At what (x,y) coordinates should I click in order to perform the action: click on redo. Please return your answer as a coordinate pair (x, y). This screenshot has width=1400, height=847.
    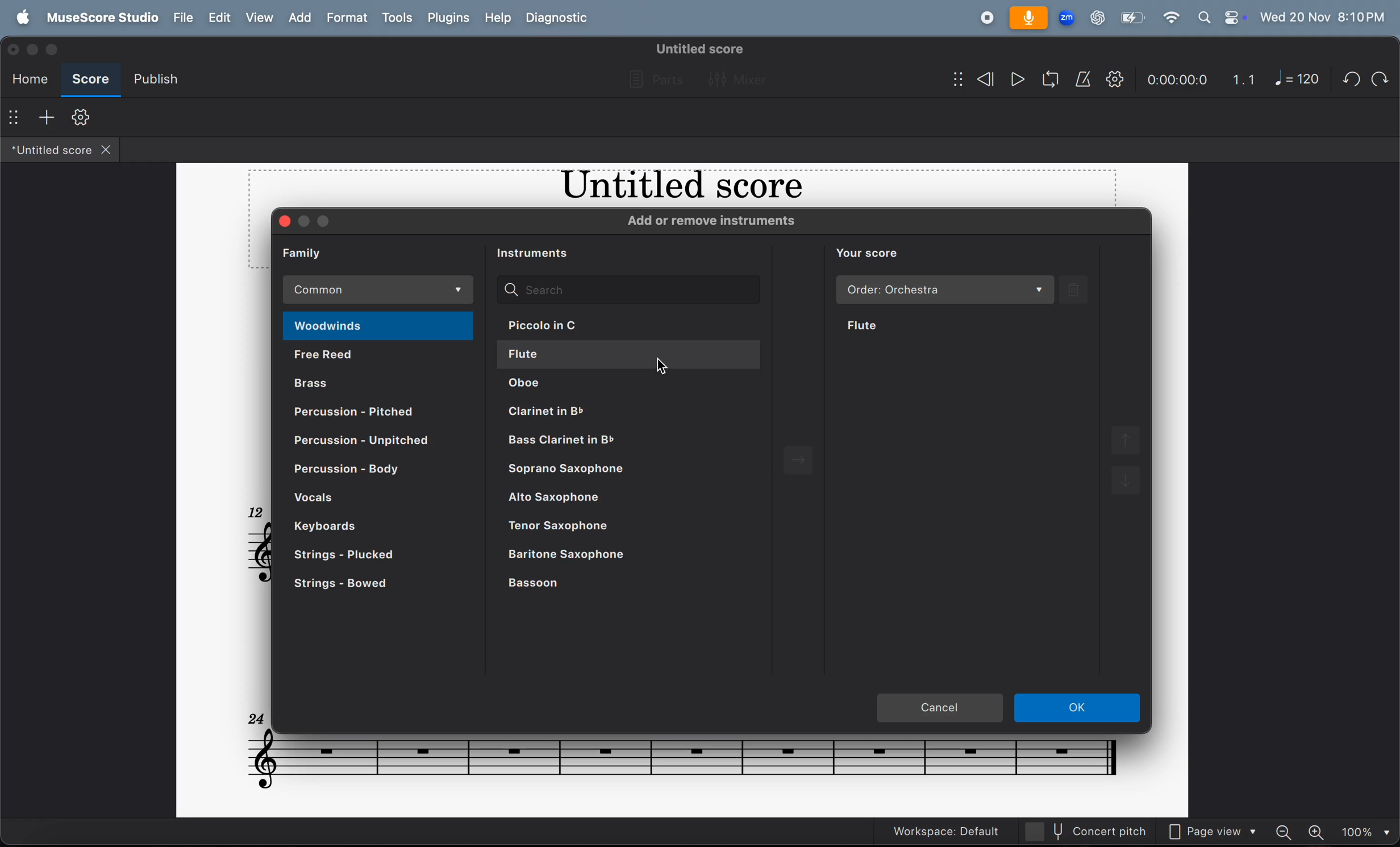
    Looking at the image, I should click on (1377, 77).